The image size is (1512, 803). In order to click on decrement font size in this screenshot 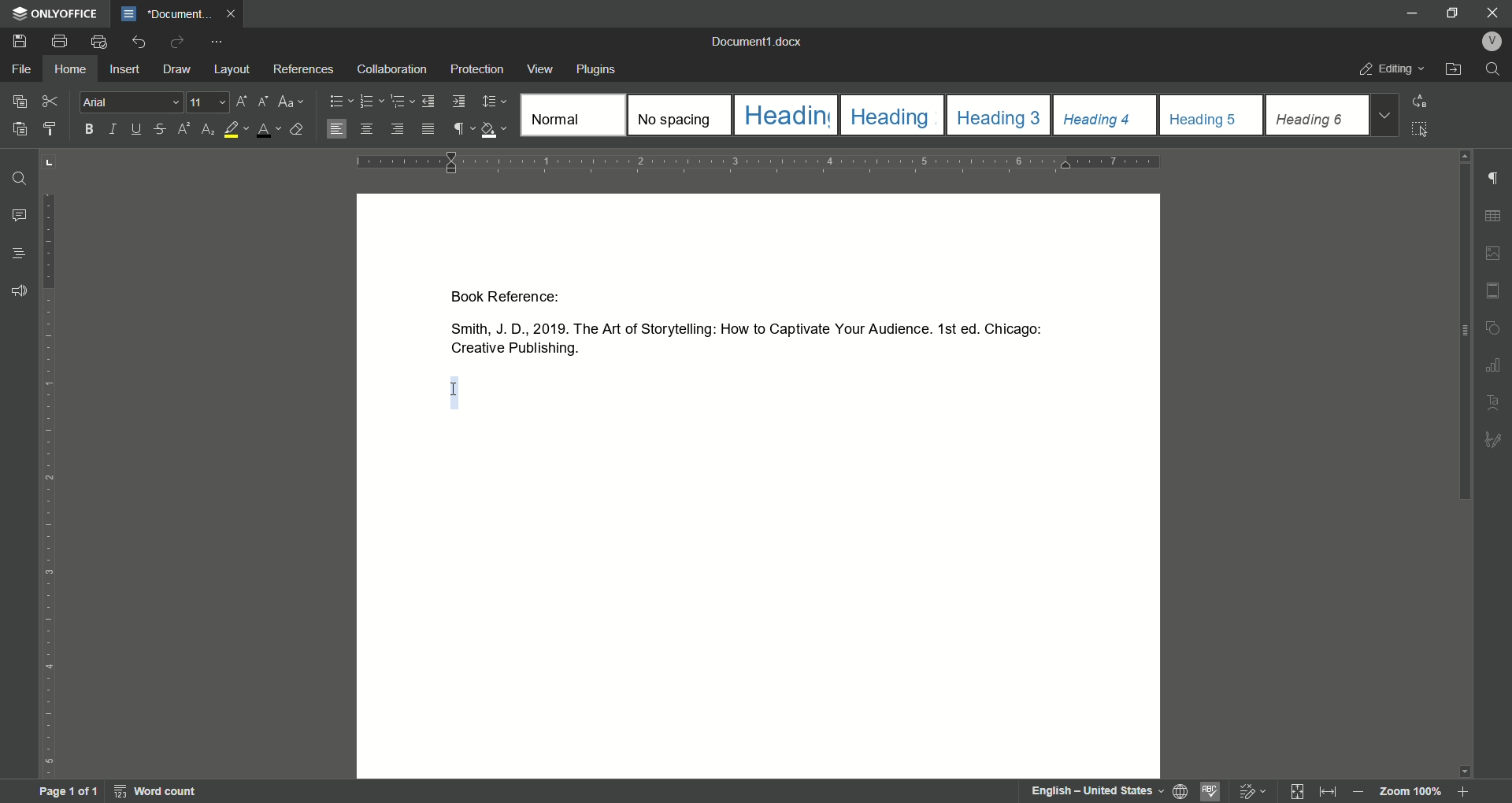, I will do `click(261, 101)`.